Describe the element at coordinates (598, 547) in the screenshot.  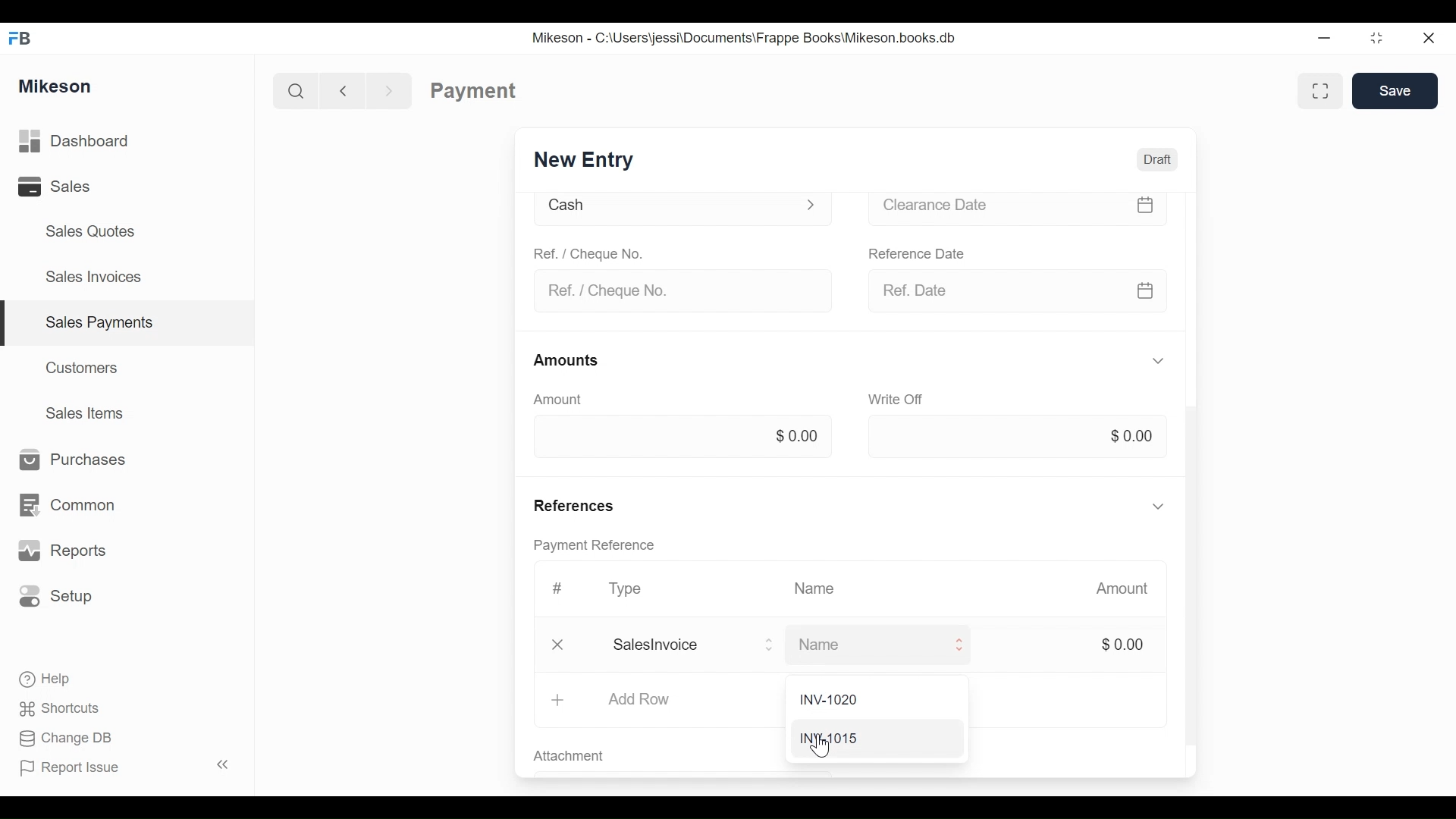
I see `Payment reference` at that location.